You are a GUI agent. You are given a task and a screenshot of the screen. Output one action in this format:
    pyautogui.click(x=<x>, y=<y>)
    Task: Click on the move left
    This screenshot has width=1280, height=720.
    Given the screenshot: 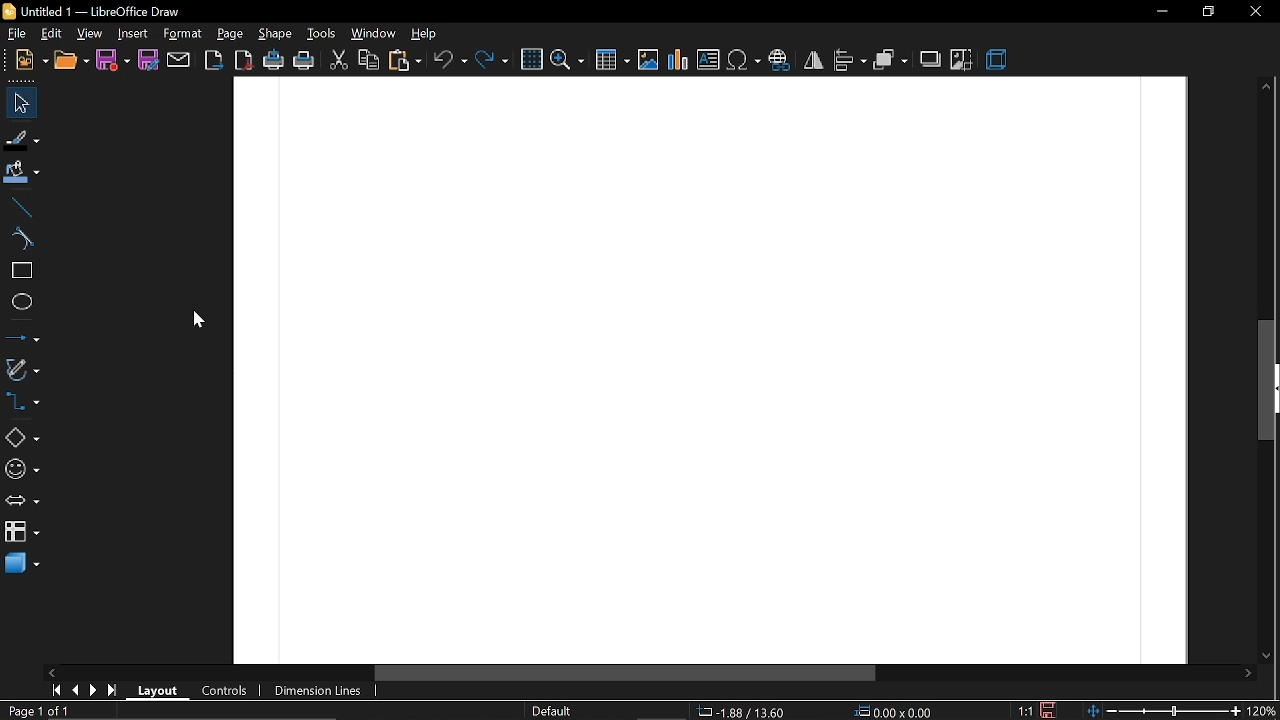 What is the action you would take?
    pyautogui.click(x=51, y=673)
    